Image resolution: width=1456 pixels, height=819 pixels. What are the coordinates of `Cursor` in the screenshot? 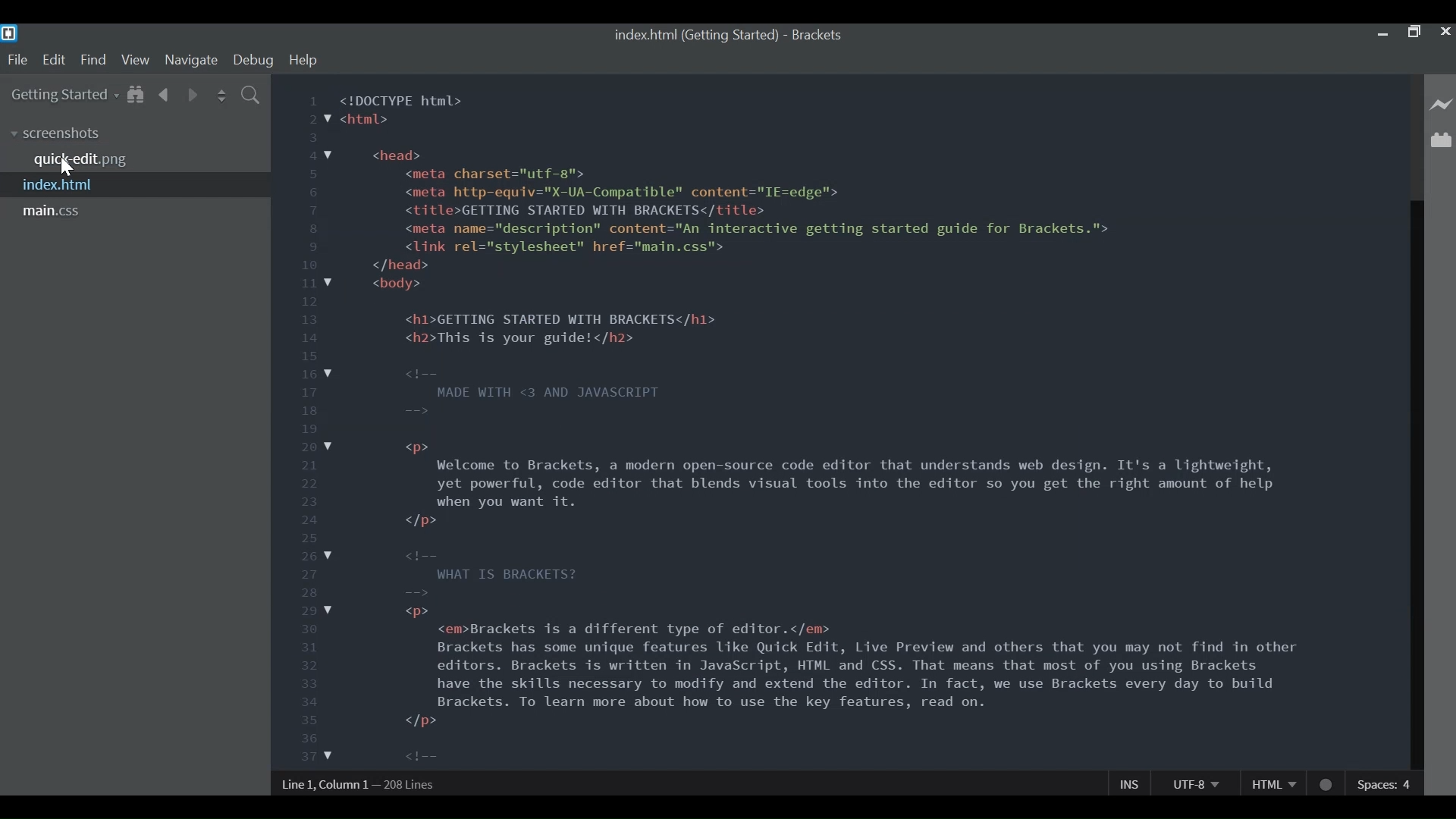 It's located at (70, 168).